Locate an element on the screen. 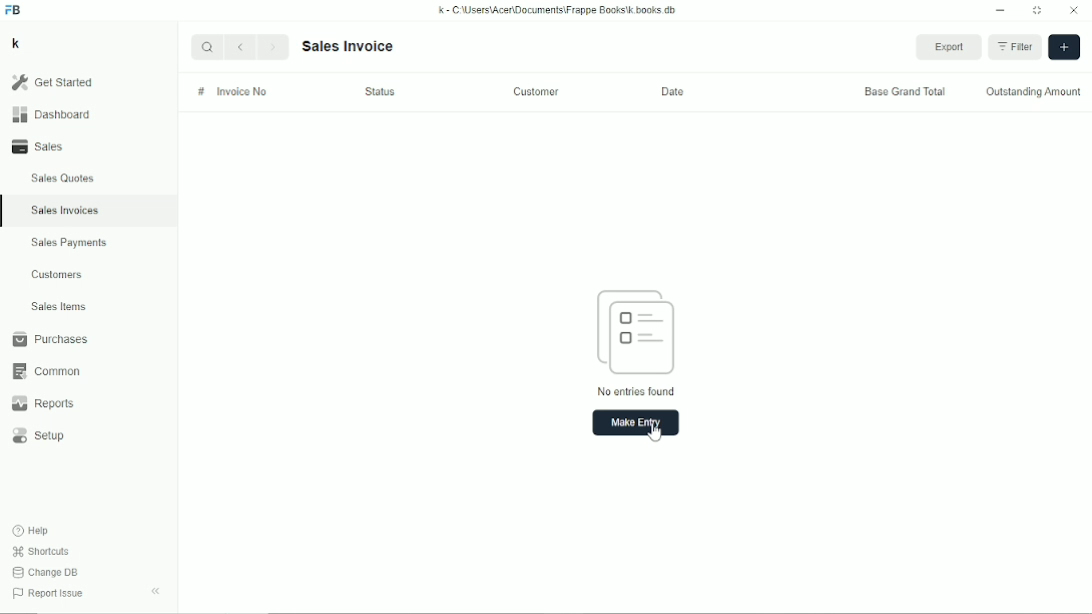 Image resolution: width=1092 pixels, height=614 pixels. Minimize is located at coordinates (1000, 11).